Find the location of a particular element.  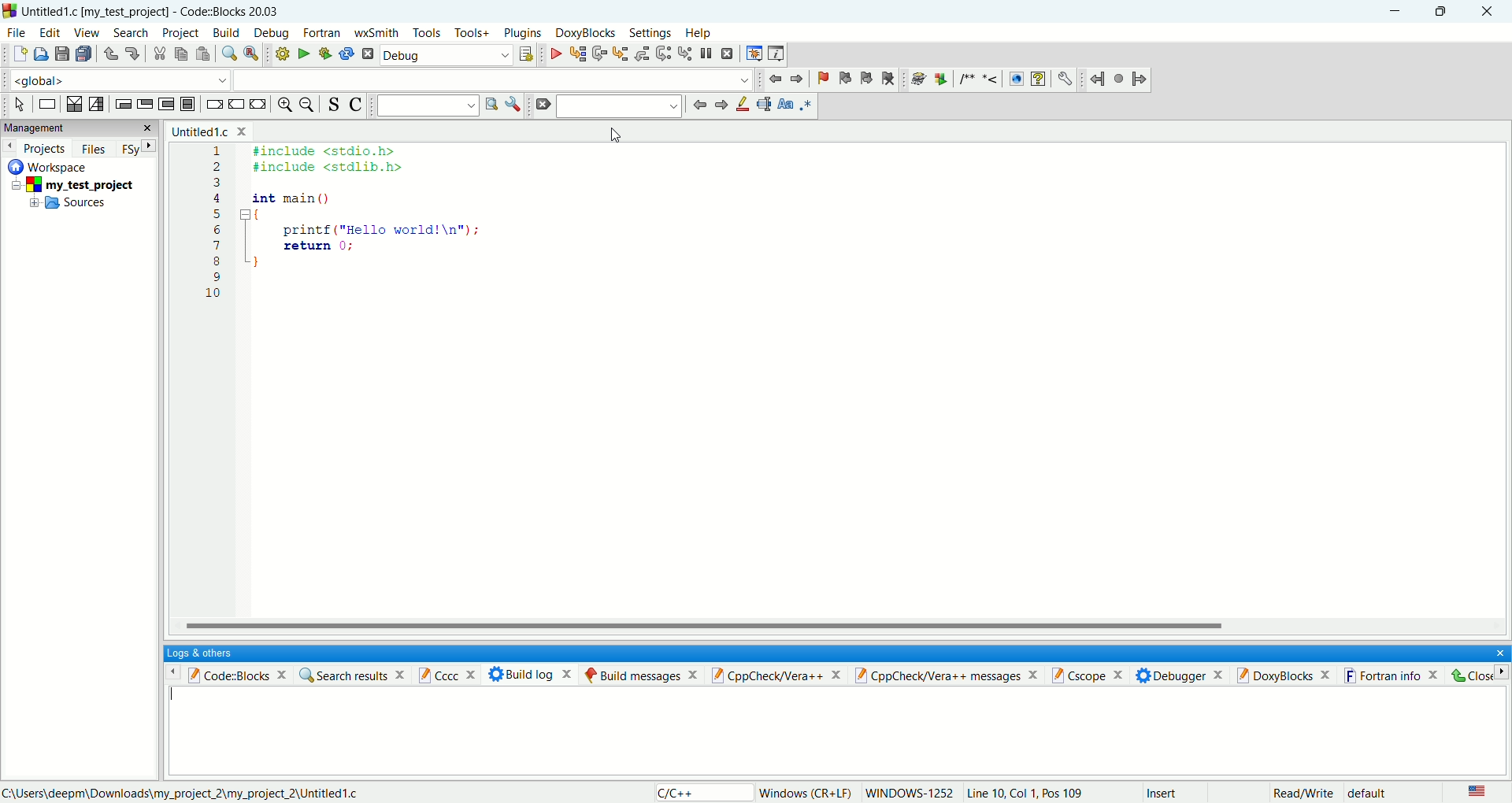

preferences is located at coordinates (1065, 80).